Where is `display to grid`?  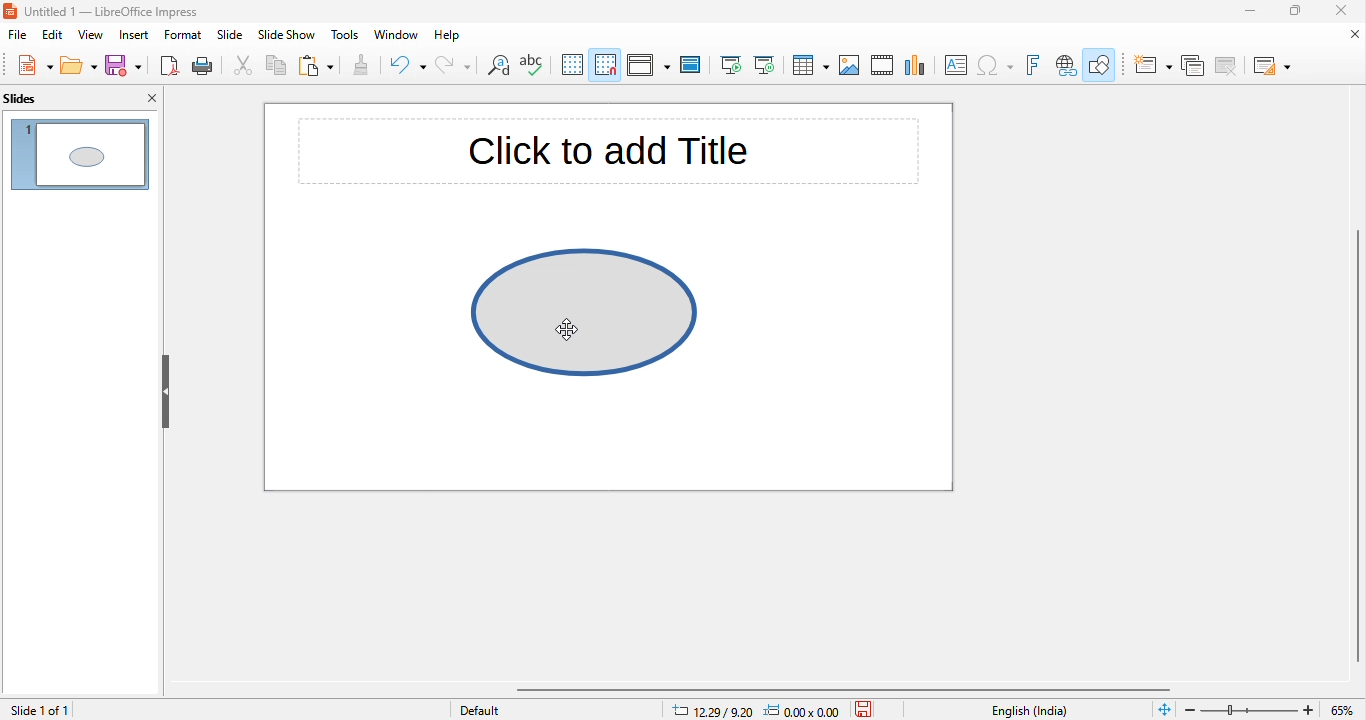
display to grid is located at coordinates (573, 66).